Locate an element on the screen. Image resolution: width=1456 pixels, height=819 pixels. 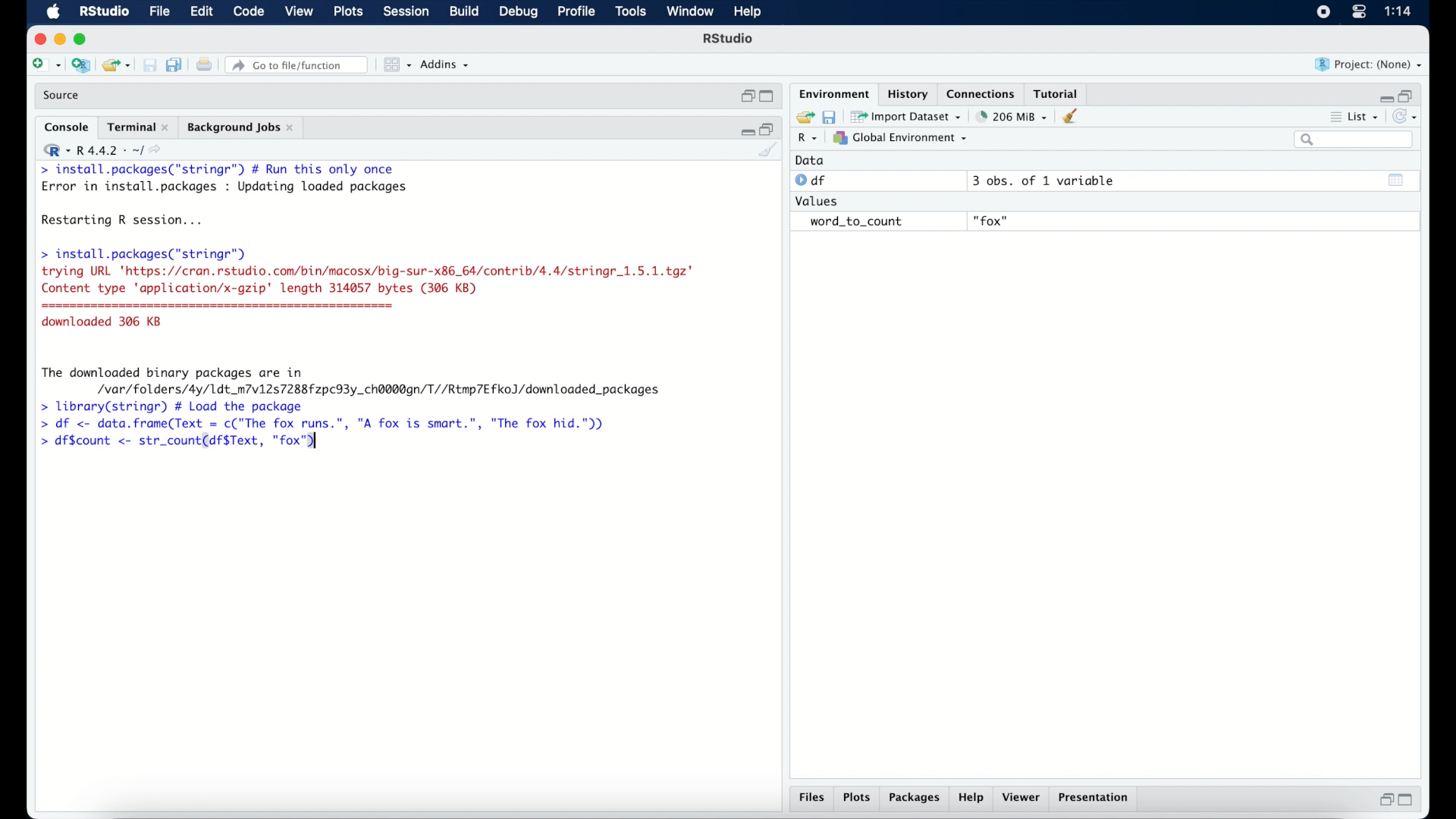
minimize is located at coordinates (59, 39).